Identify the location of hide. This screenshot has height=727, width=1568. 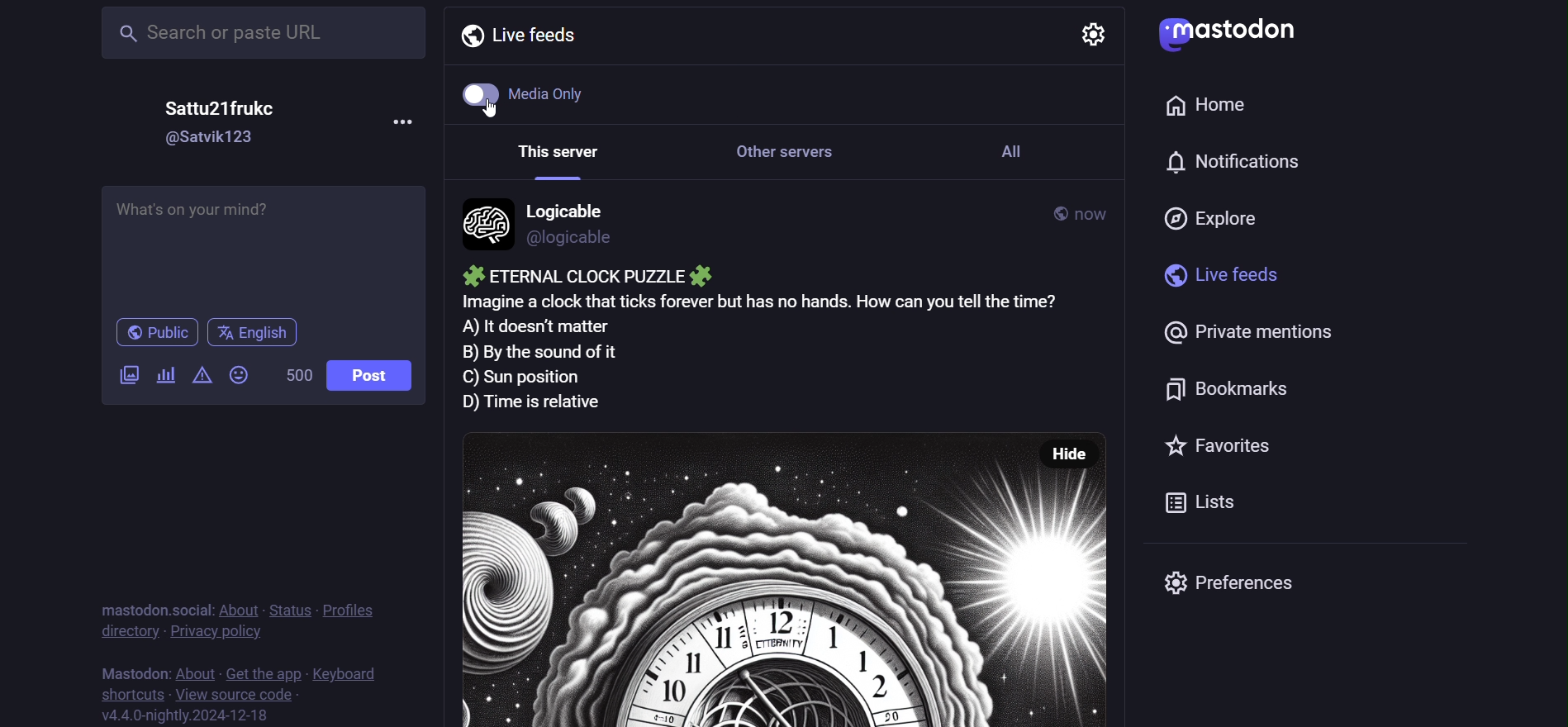
(1080, 451).